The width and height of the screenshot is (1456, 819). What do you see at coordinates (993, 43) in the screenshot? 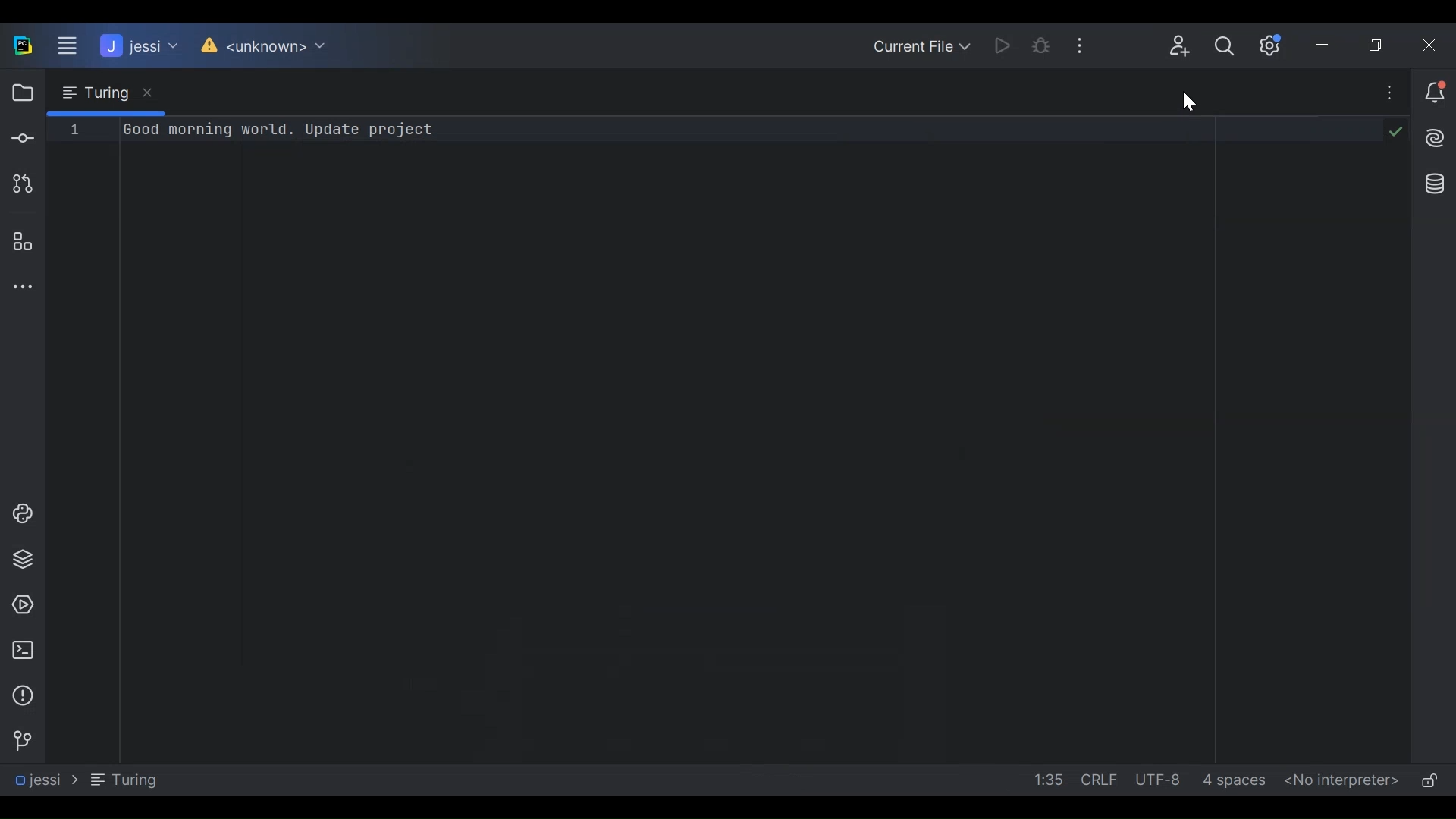
I see `Run` at bounding box center [993, 43].